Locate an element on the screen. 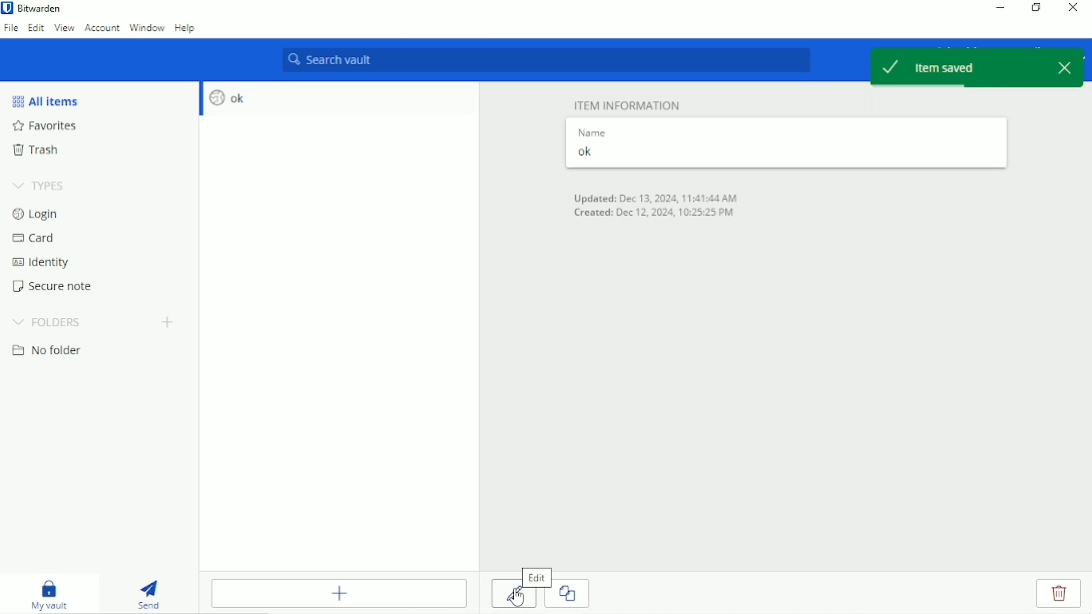 The width and height of the screenshot is (1092, 614). Help is located at coordinates (185, 28).